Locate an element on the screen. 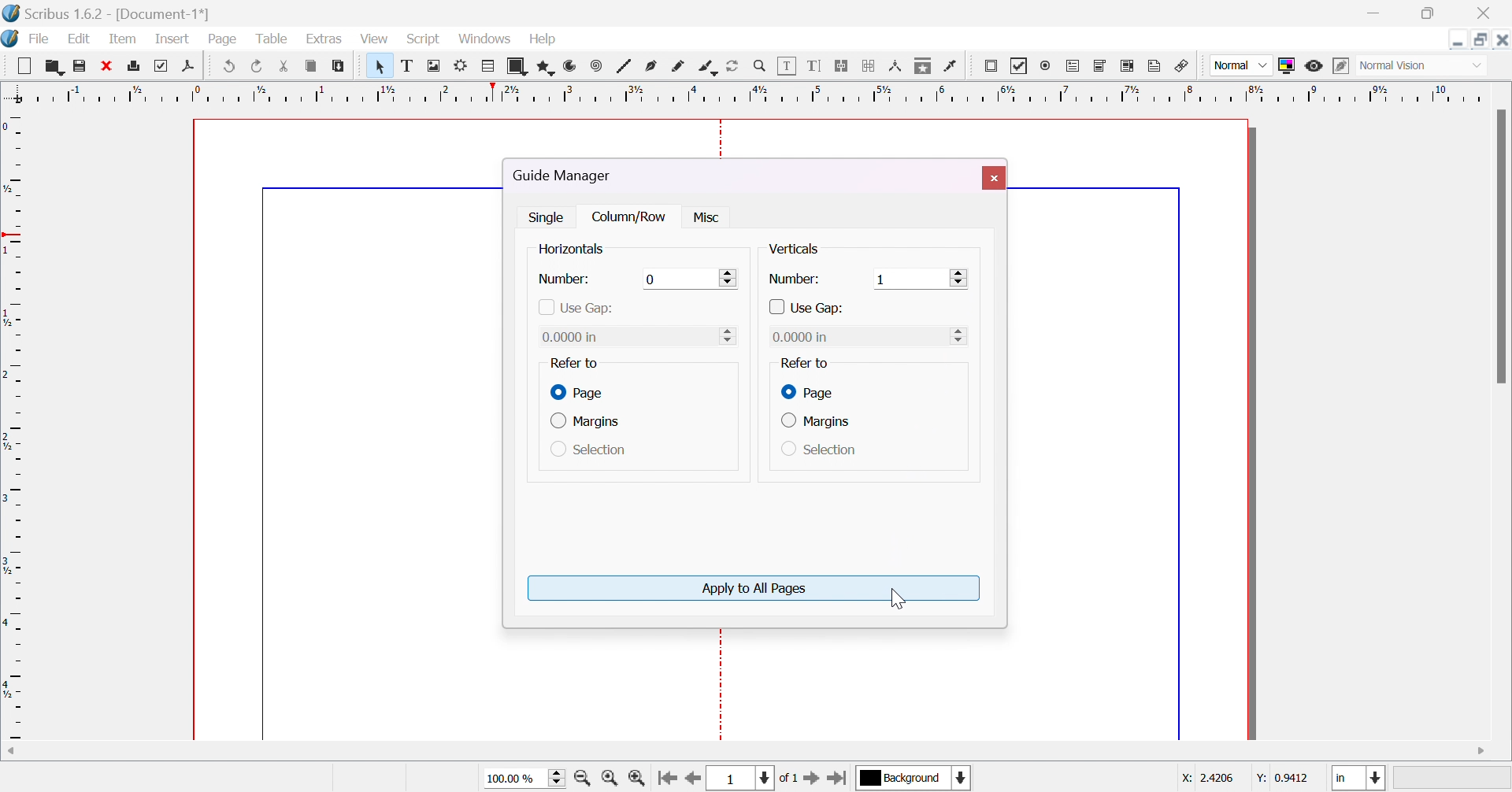 The width and height of the screenshot is (1512, 792). zoom in is located at coordinates (638, 777).